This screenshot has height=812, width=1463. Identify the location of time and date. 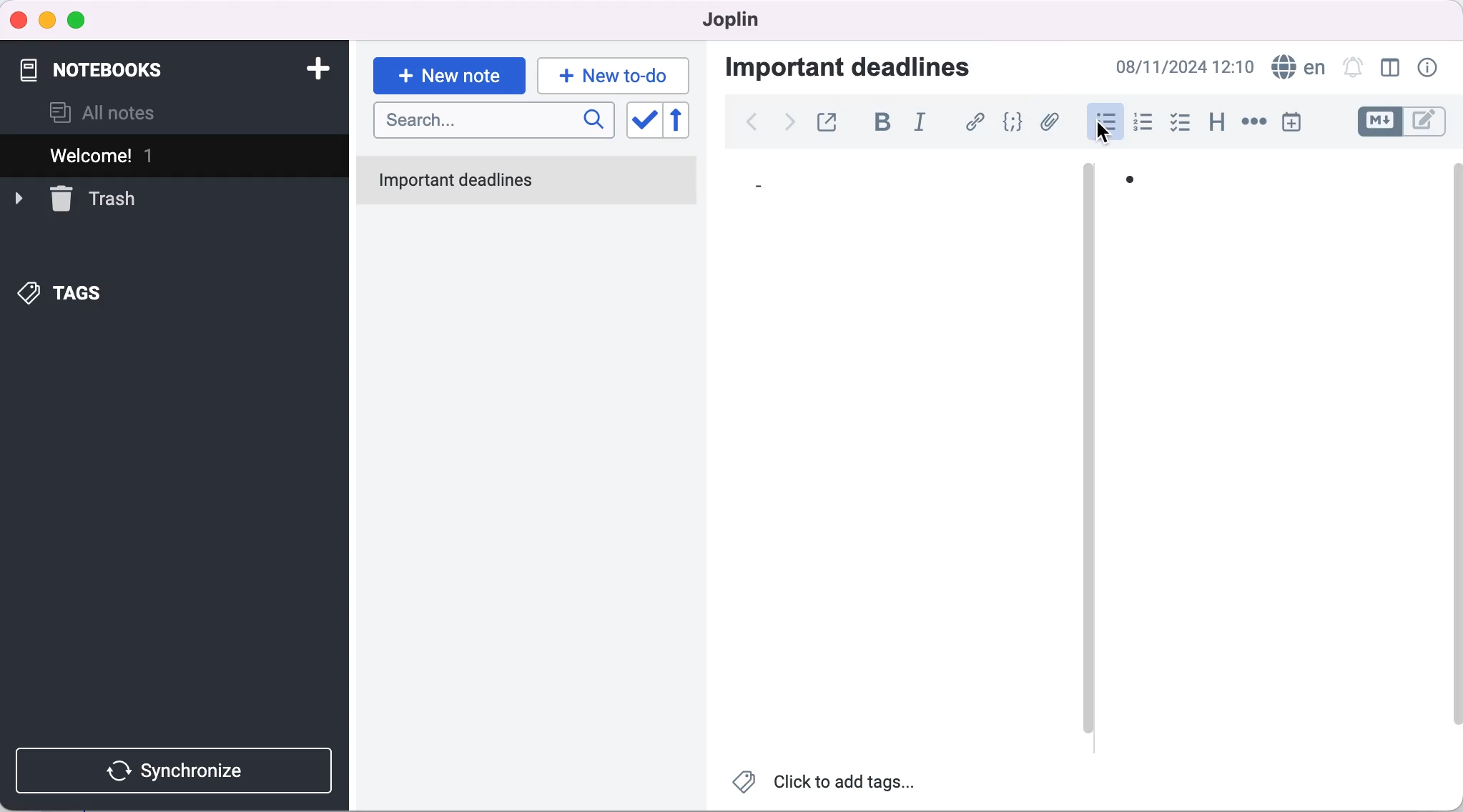
(1187, 66).